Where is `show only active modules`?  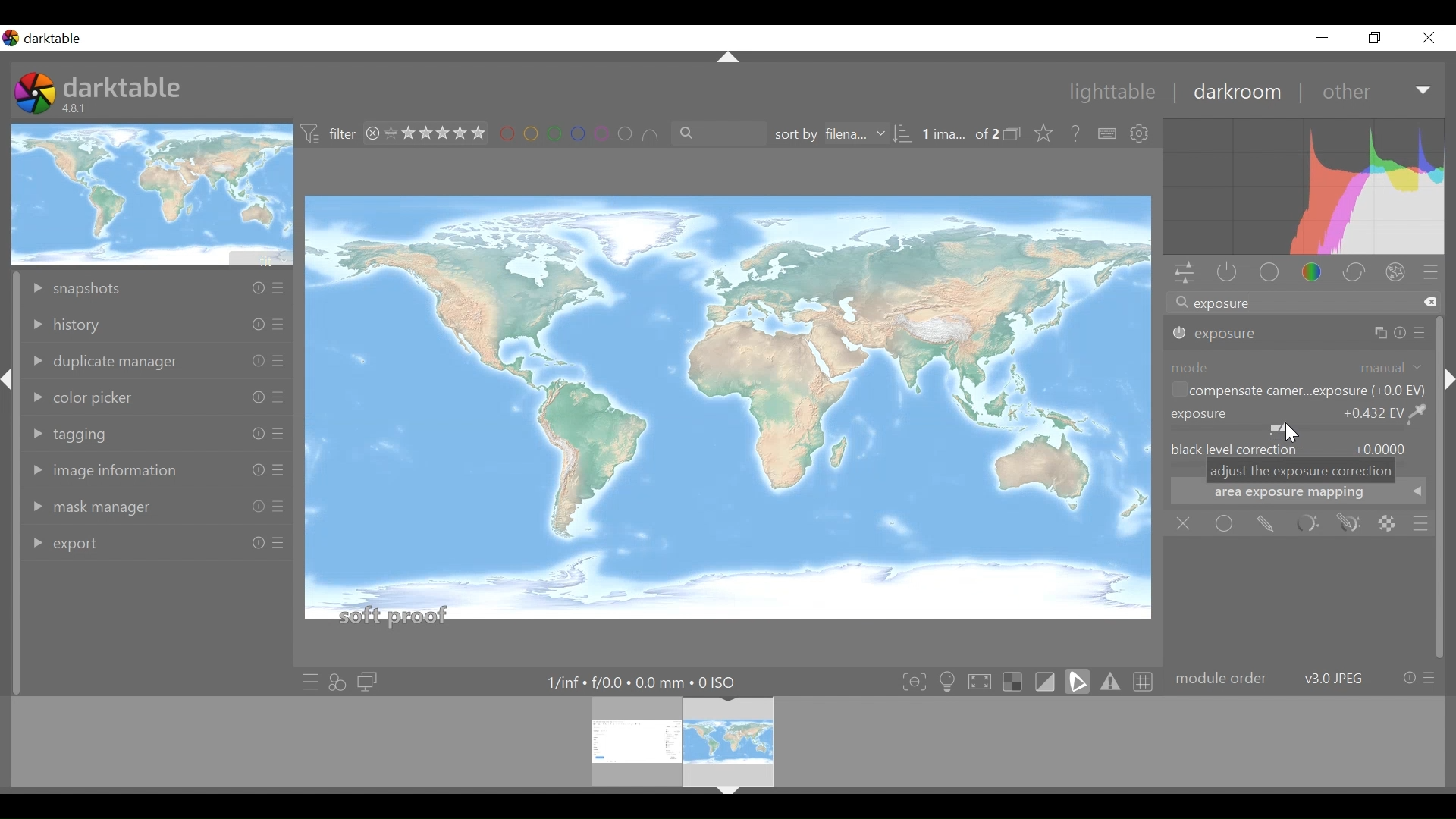 show only active modules is located at coordinates (1223, 274).